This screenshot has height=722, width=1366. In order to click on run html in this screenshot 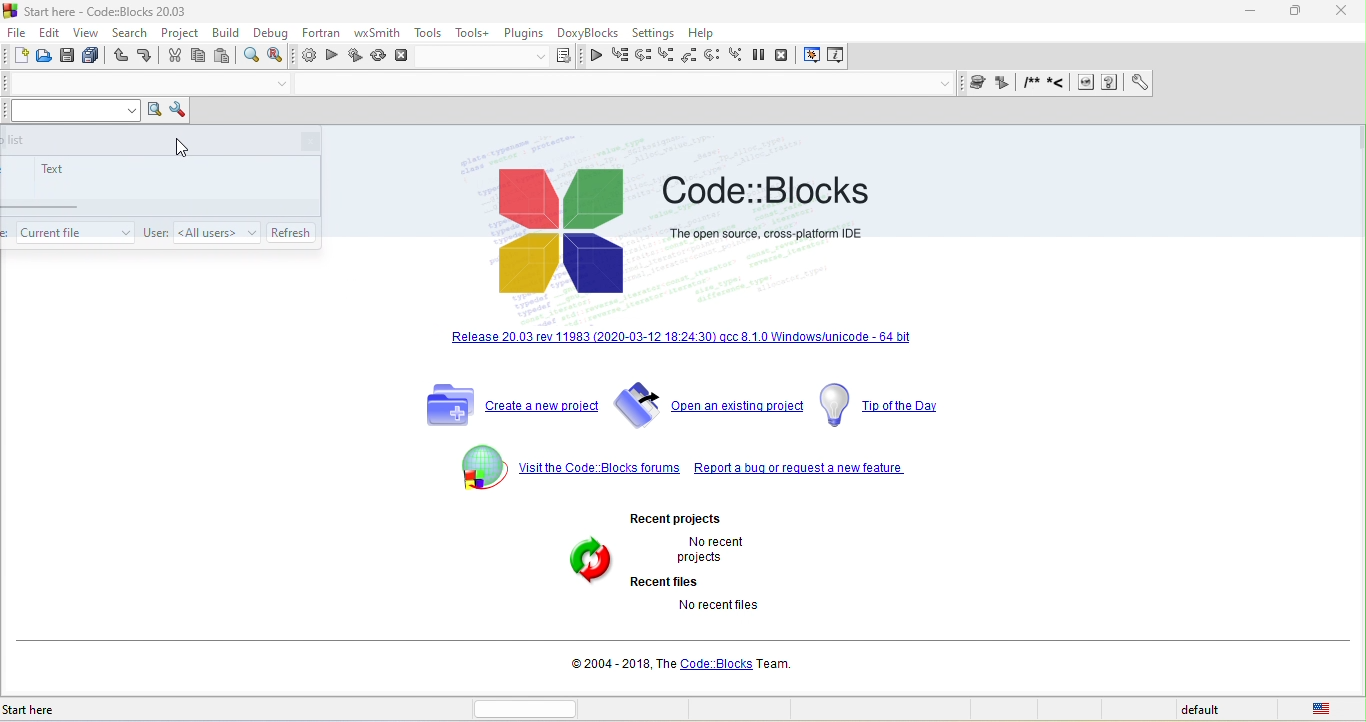, I will do `click(1086, 84)`.